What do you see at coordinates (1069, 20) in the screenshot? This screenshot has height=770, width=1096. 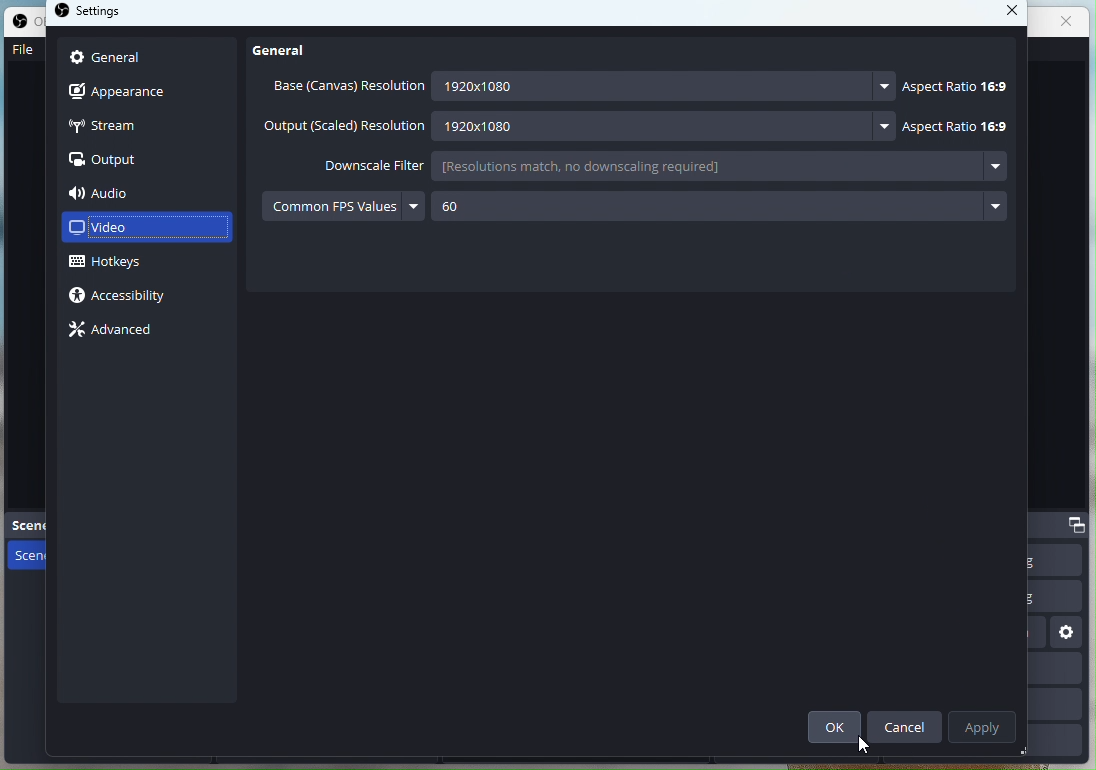 I see `close` at bounding box center [1069, 20].